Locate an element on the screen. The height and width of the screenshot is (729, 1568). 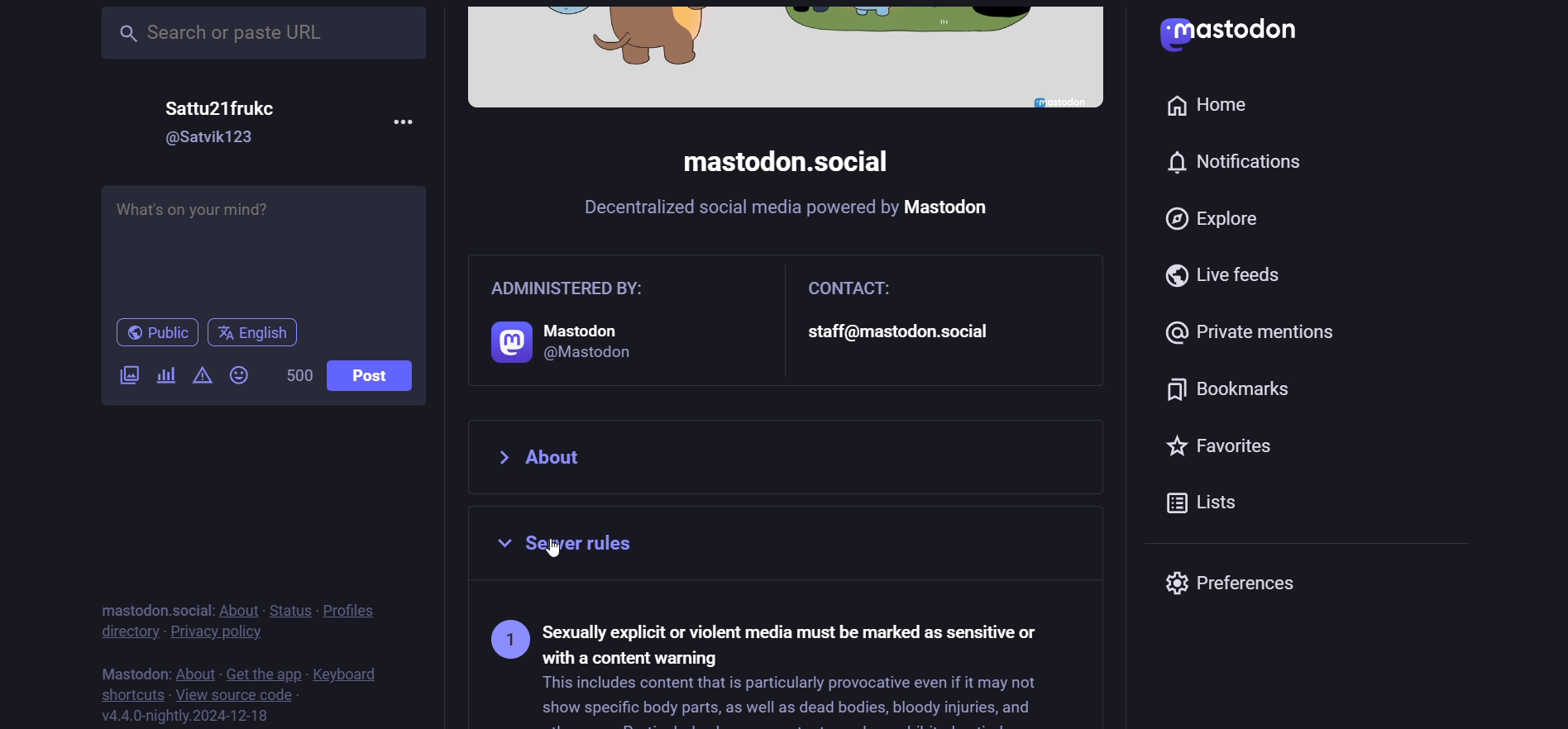
image is located at coordinates (785, 57).